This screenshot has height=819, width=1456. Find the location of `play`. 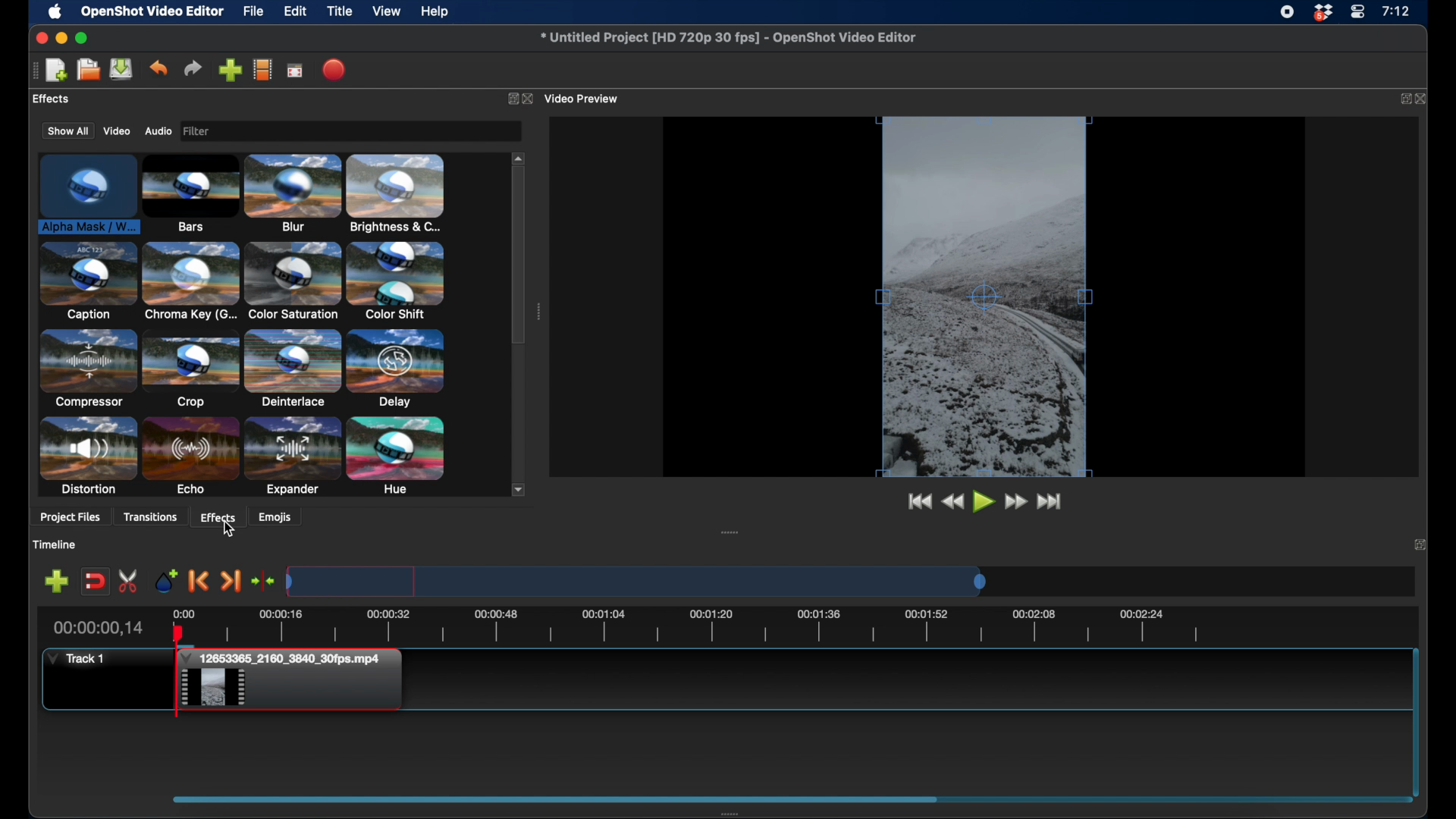

play is located at coordinates (984, 504).